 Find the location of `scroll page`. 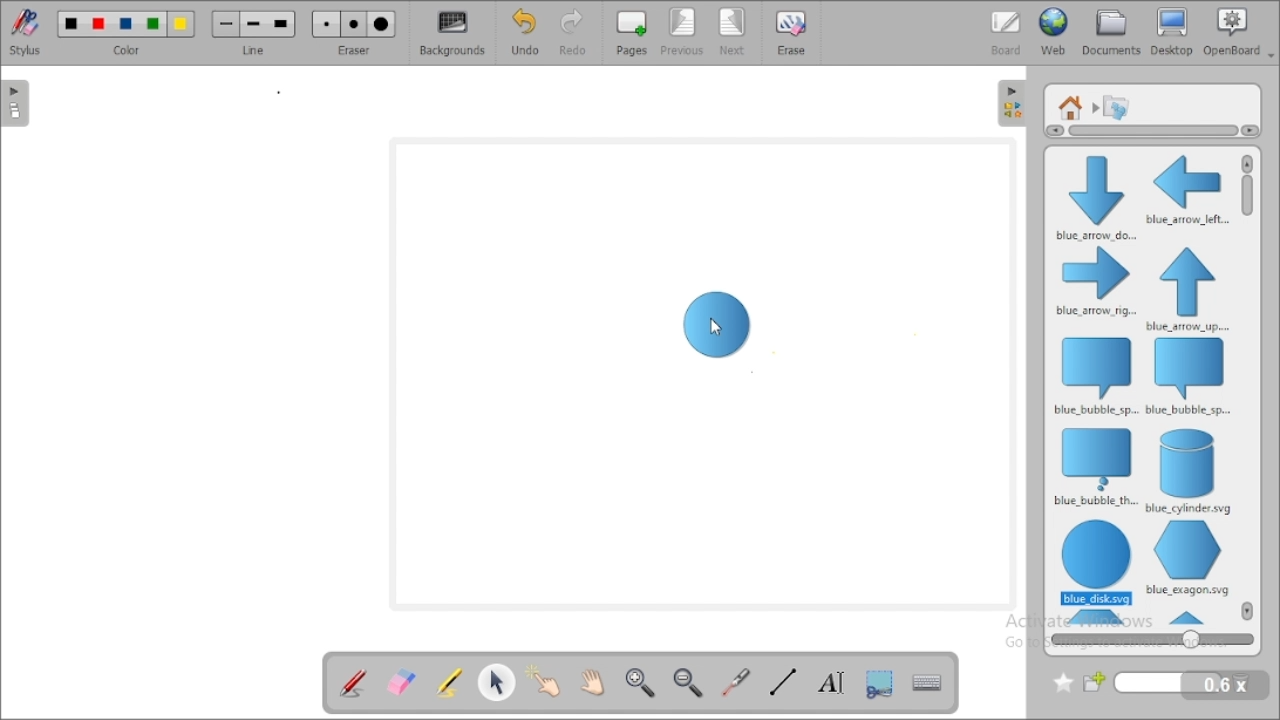

scroll page is located at coordinates (593, 680).